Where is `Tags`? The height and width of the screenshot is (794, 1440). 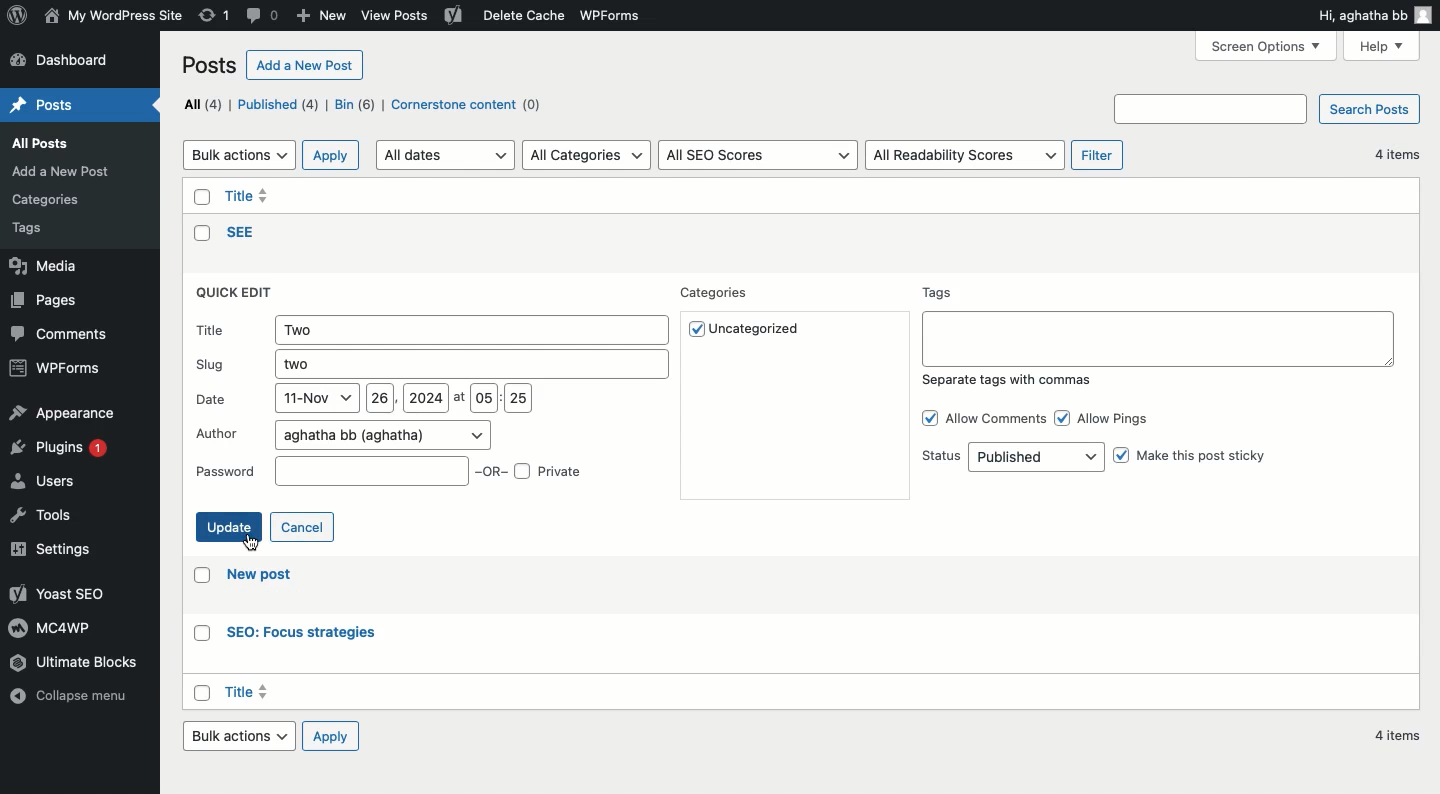 Tags is located at coordinates (1157, 325).